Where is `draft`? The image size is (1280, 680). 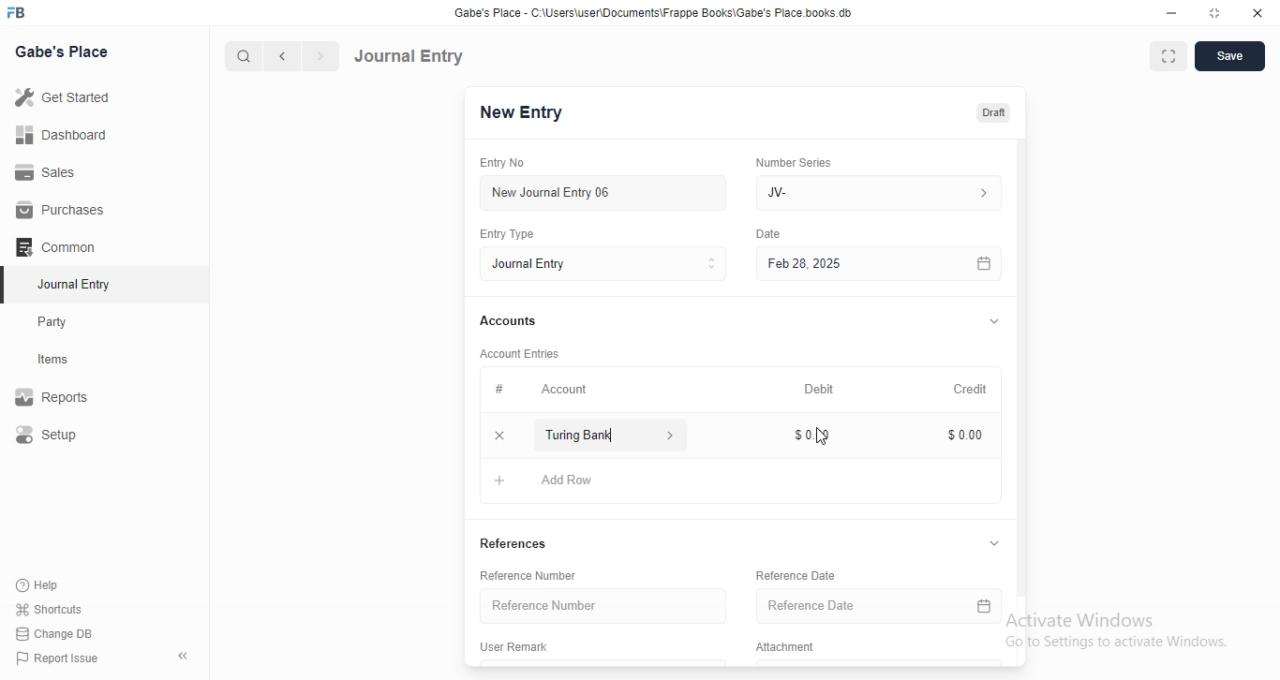
draft is located at coordinates (993, 114).